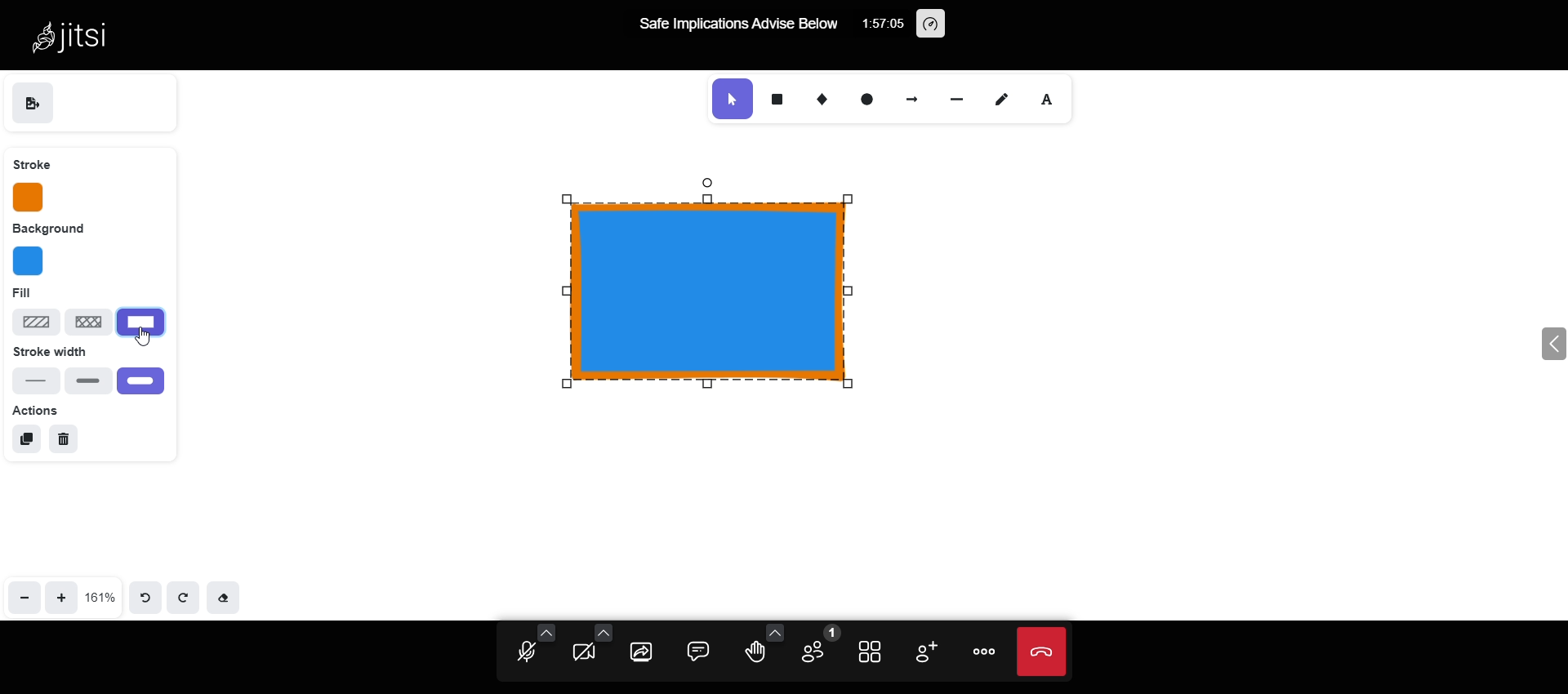 This screenshot has height=694, width=1568. Describe the element at coordinates (38, 412) in the screenshot. I see `actions` at that location.